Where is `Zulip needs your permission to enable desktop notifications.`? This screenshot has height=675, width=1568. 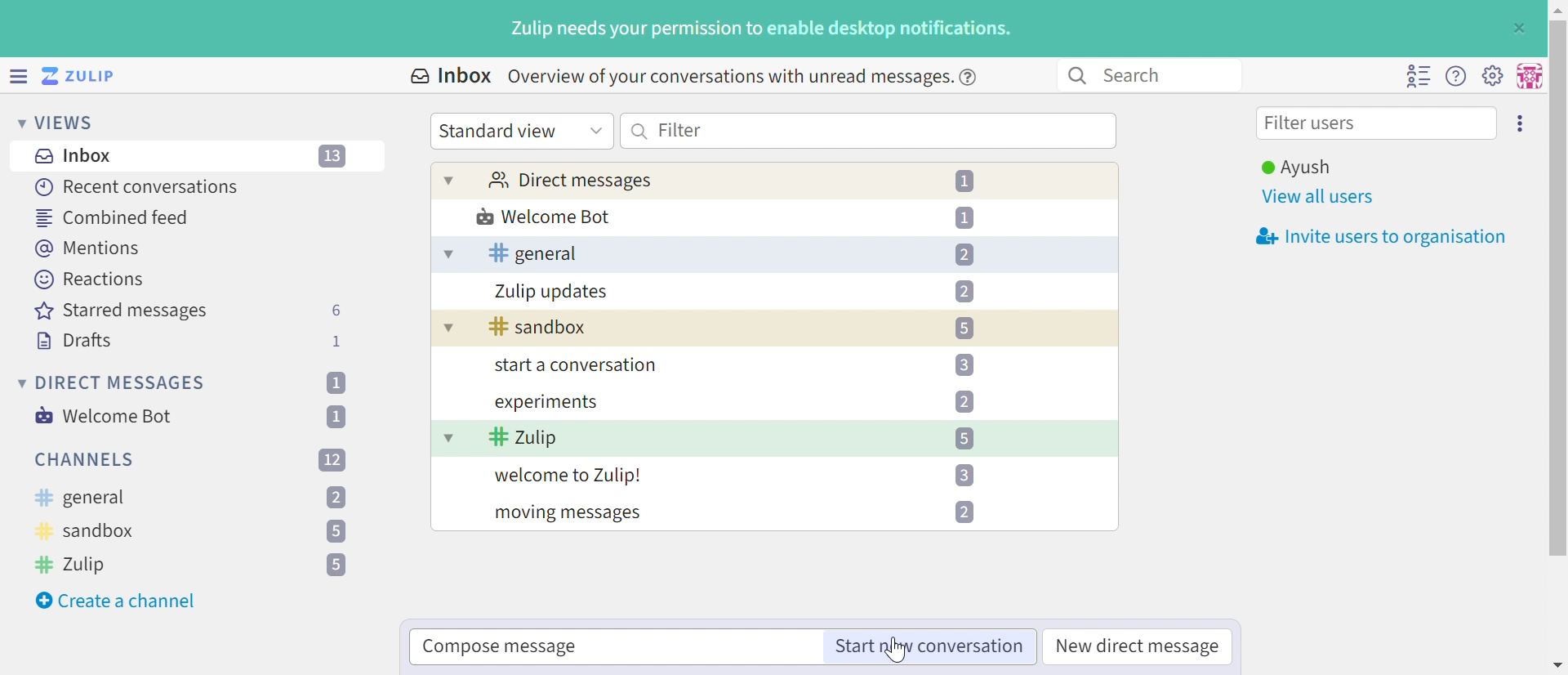
Zulip needs your permission to enable desktop notifications. is located at coordinates (762, 30).